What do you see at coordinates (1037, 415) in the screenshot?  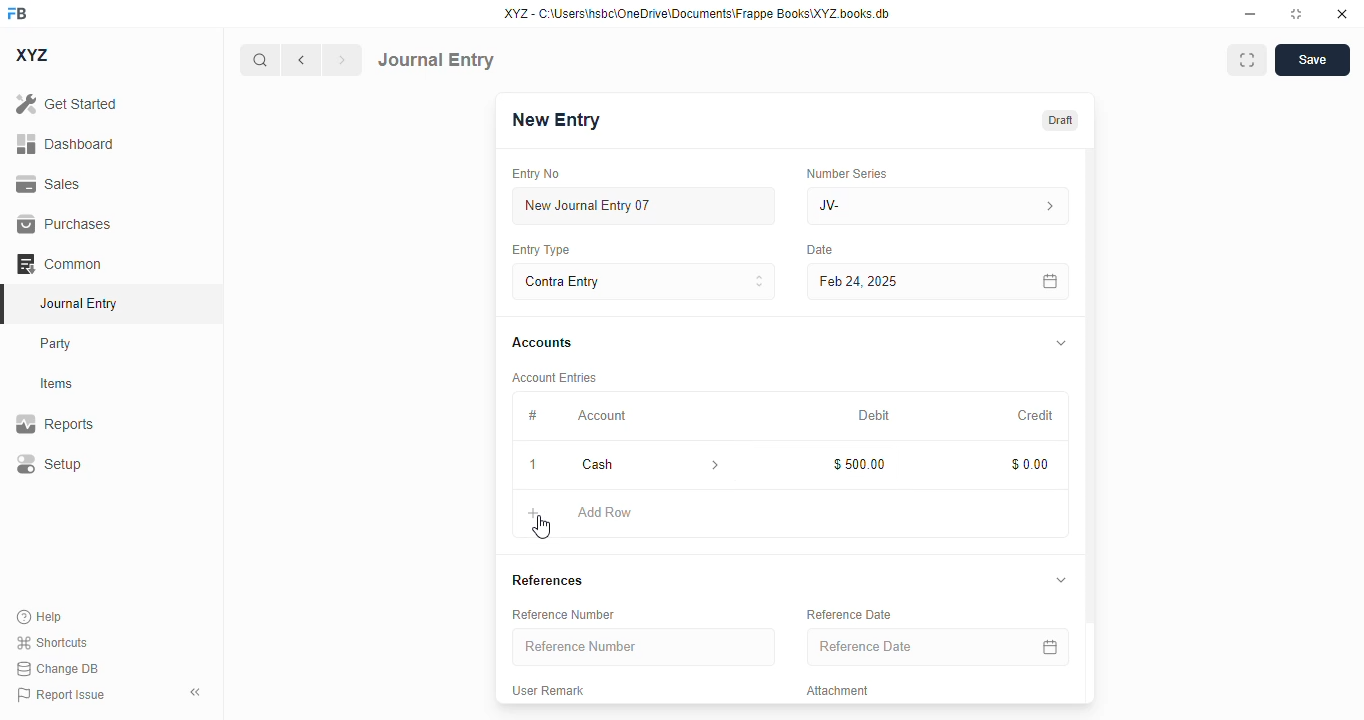 I see `credit` at bounding box center [1037, 415].